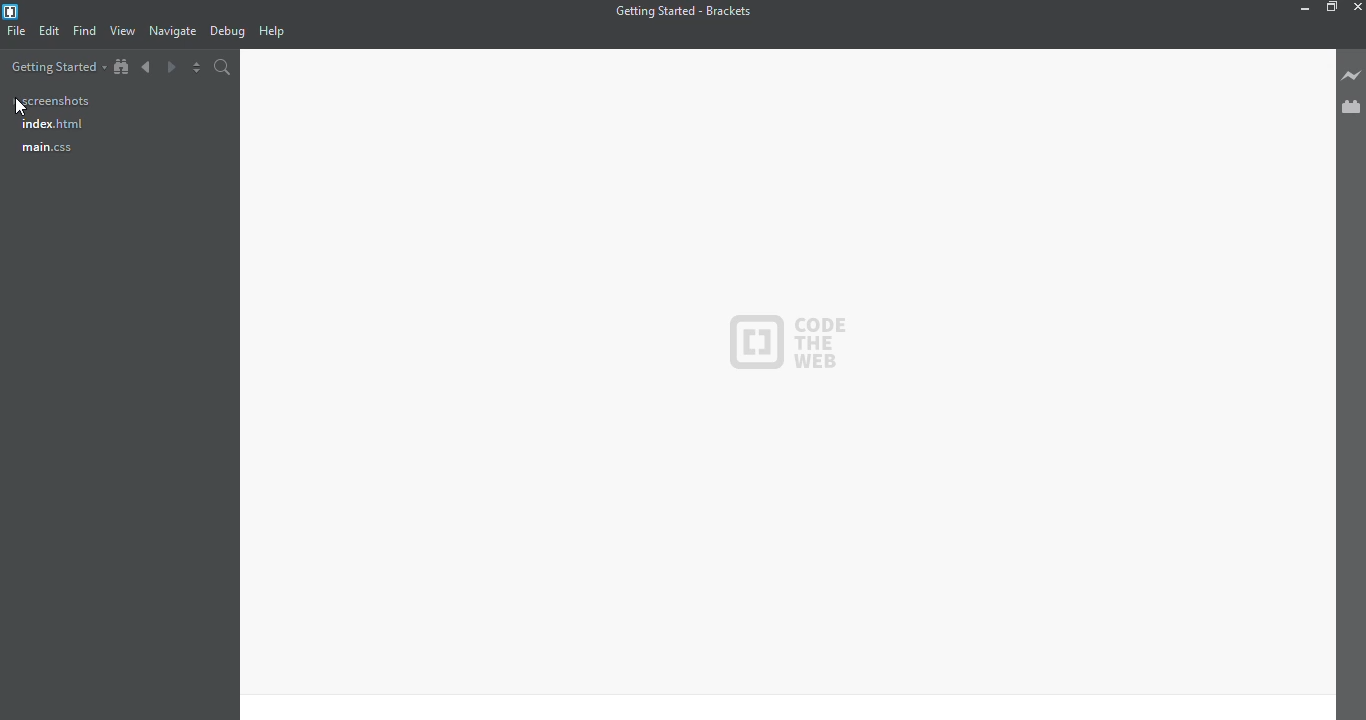 The width and height of the screenshot is (1366, 720). What do you see at coordinates (54, 100) in the screenshot?
I see `screenshots` at bounding box center [54, 100].